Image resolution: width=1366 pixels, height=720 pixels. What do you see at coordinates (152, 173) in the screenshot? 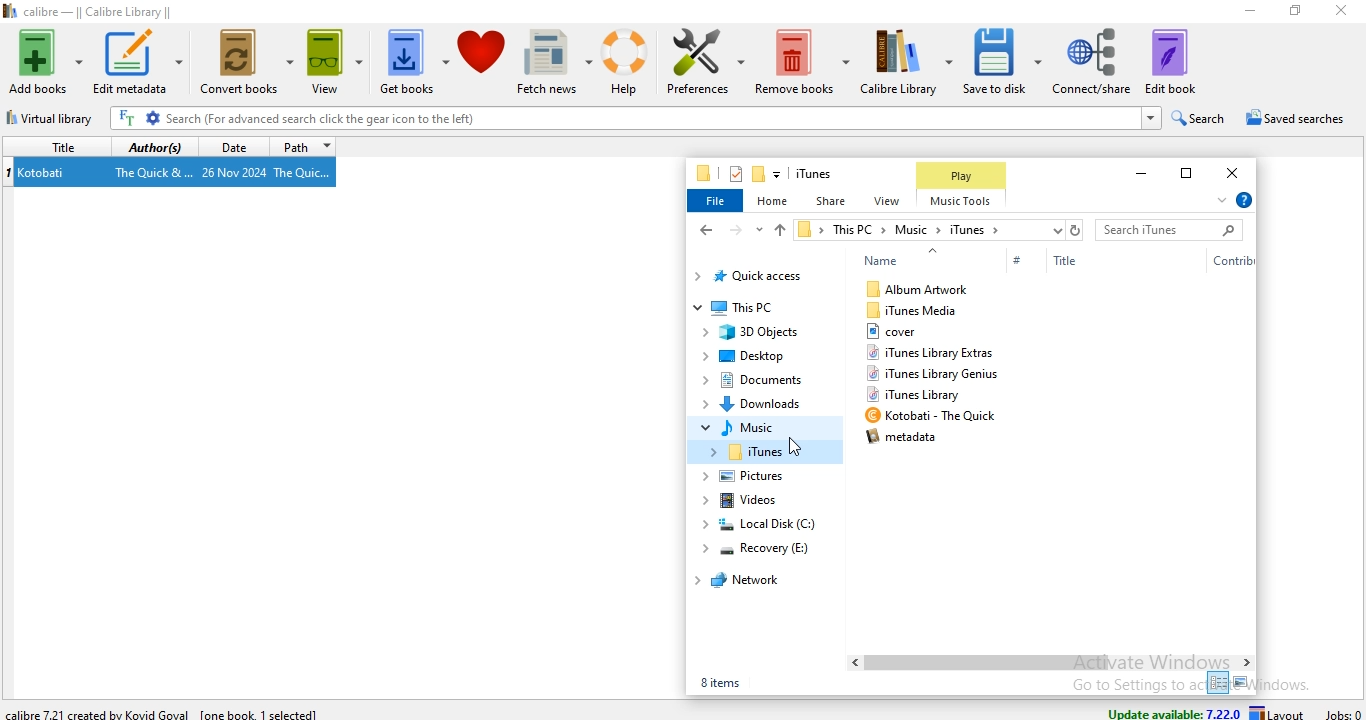
I see `The Quick &...` at bounding box center [152, 173].